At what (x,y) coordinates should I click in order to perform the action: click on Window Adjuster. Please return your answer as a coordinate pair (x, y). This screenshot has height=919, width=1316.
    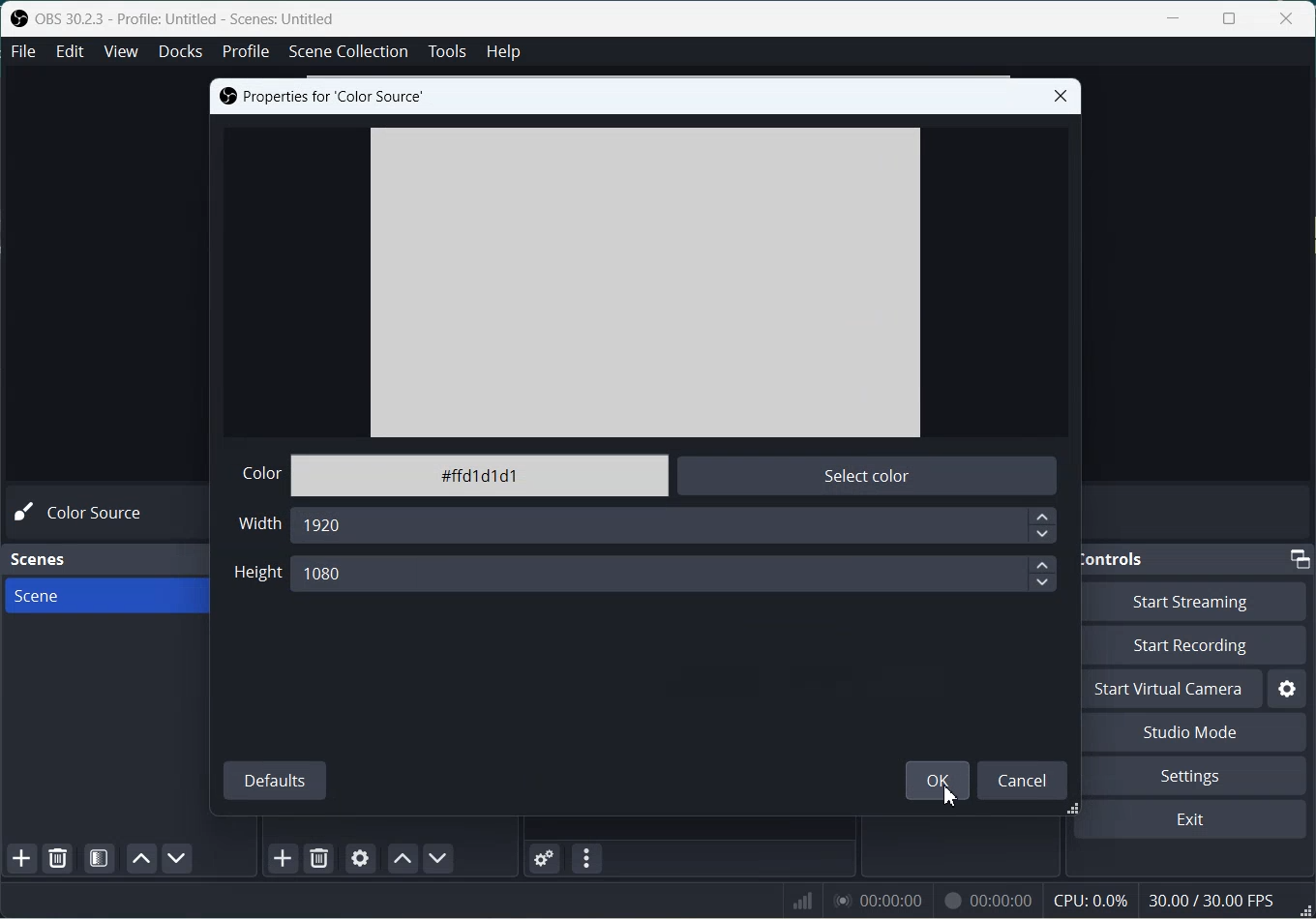
    Looking at the image, I should click on (1303, 909).